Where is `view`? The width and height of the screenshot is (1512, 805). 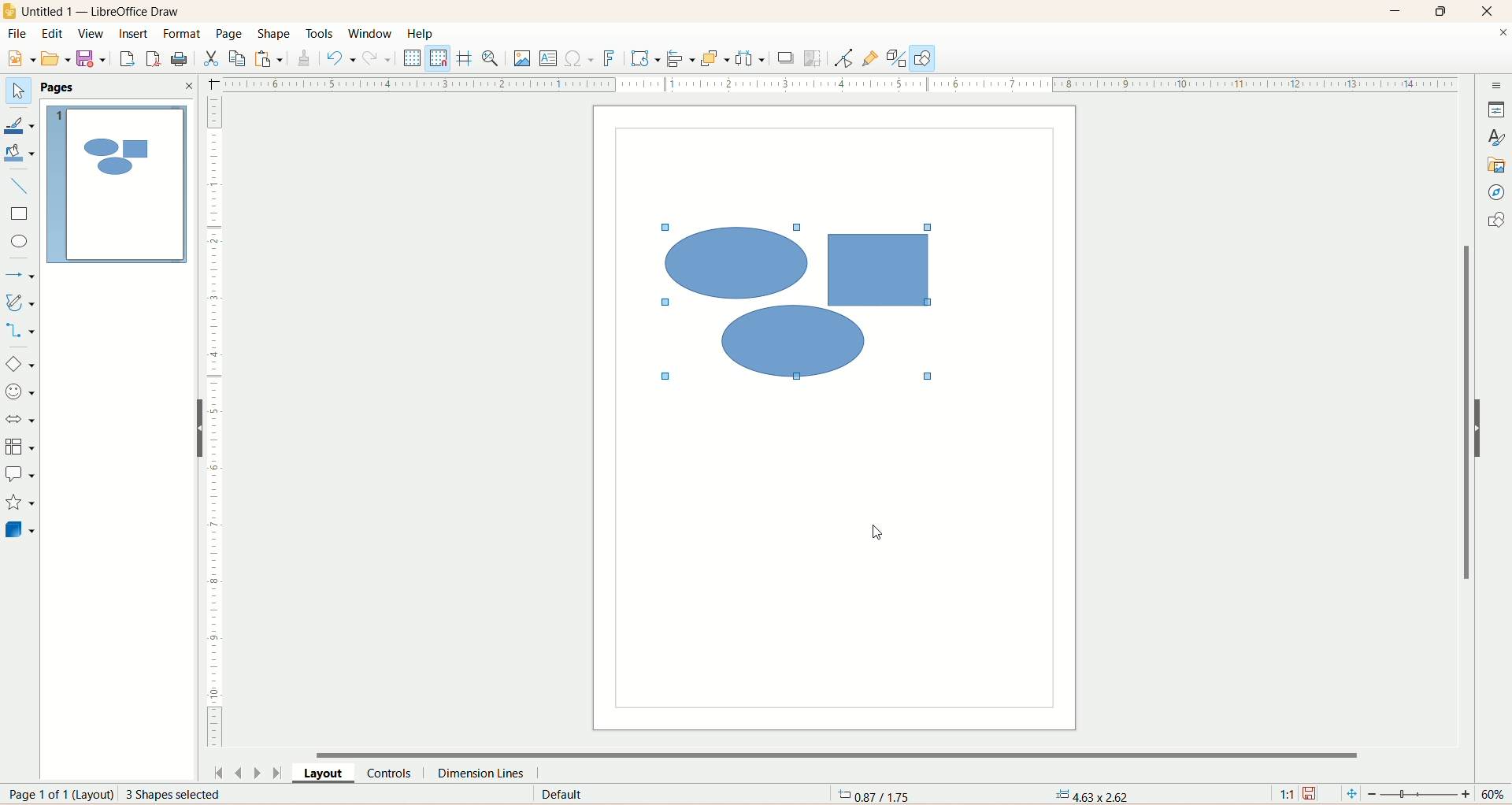 view is located at coordinates (91, 33).